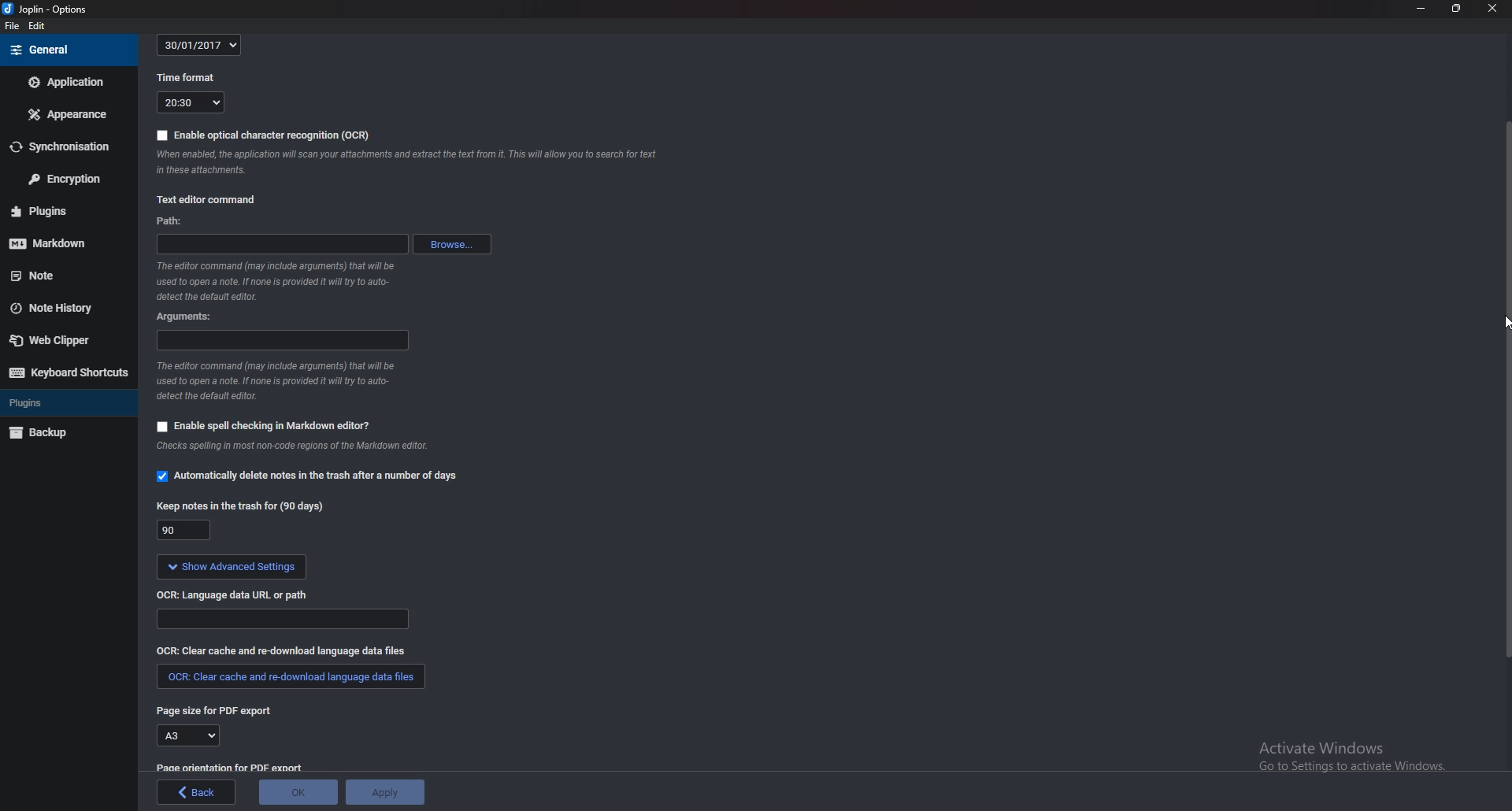 This screenshot has width=1512, height=811. What do you see at coordinates (283, 383) in the screenshot?
I see `Info` at bounding box center [283, 383].